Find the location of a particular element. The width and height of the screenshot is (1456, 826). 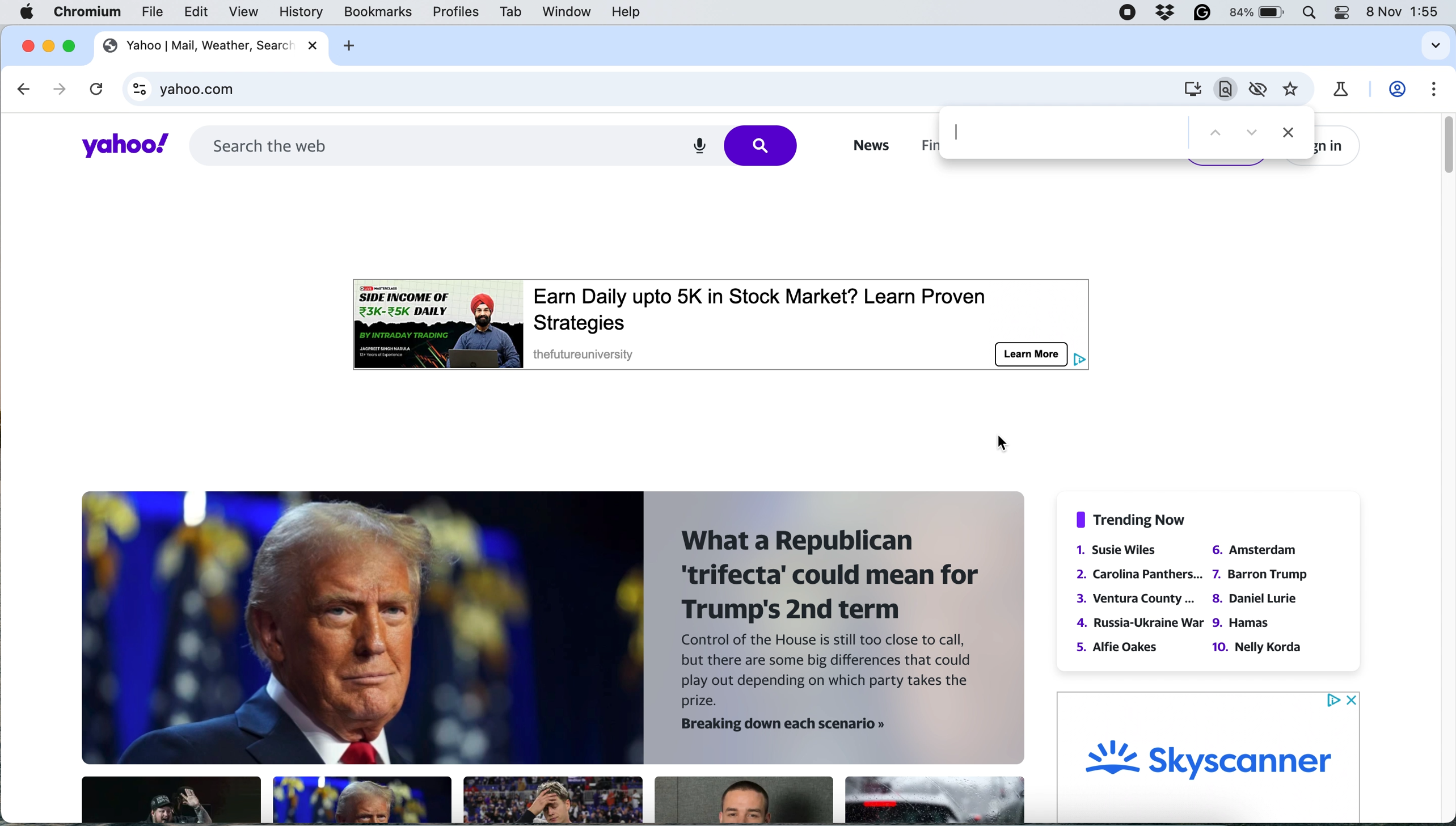

ad is located at coordinates (1211, 756).